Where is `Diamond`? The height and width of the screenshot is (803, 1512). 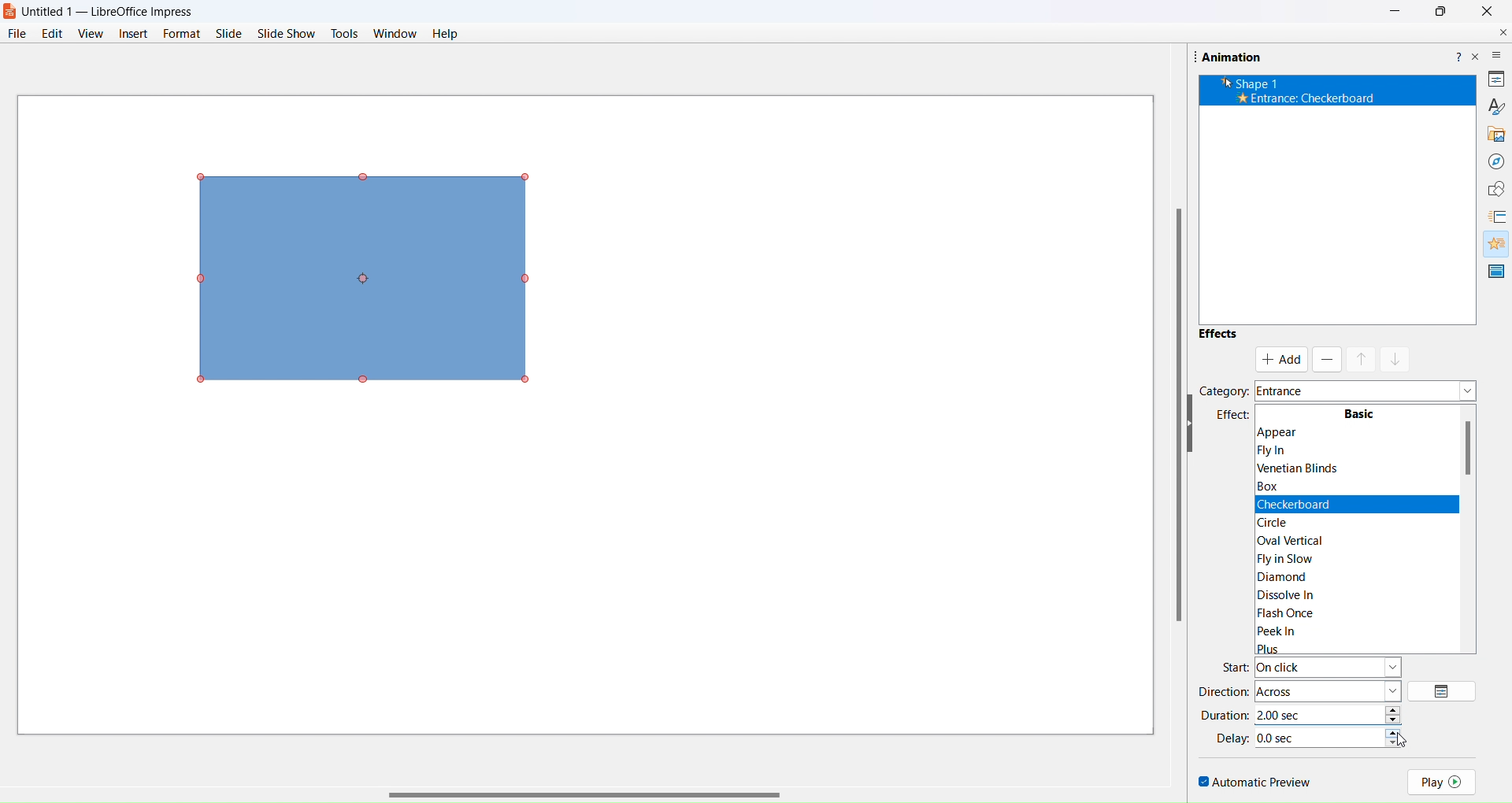
Diamond is located at coordinates (1293, 575).